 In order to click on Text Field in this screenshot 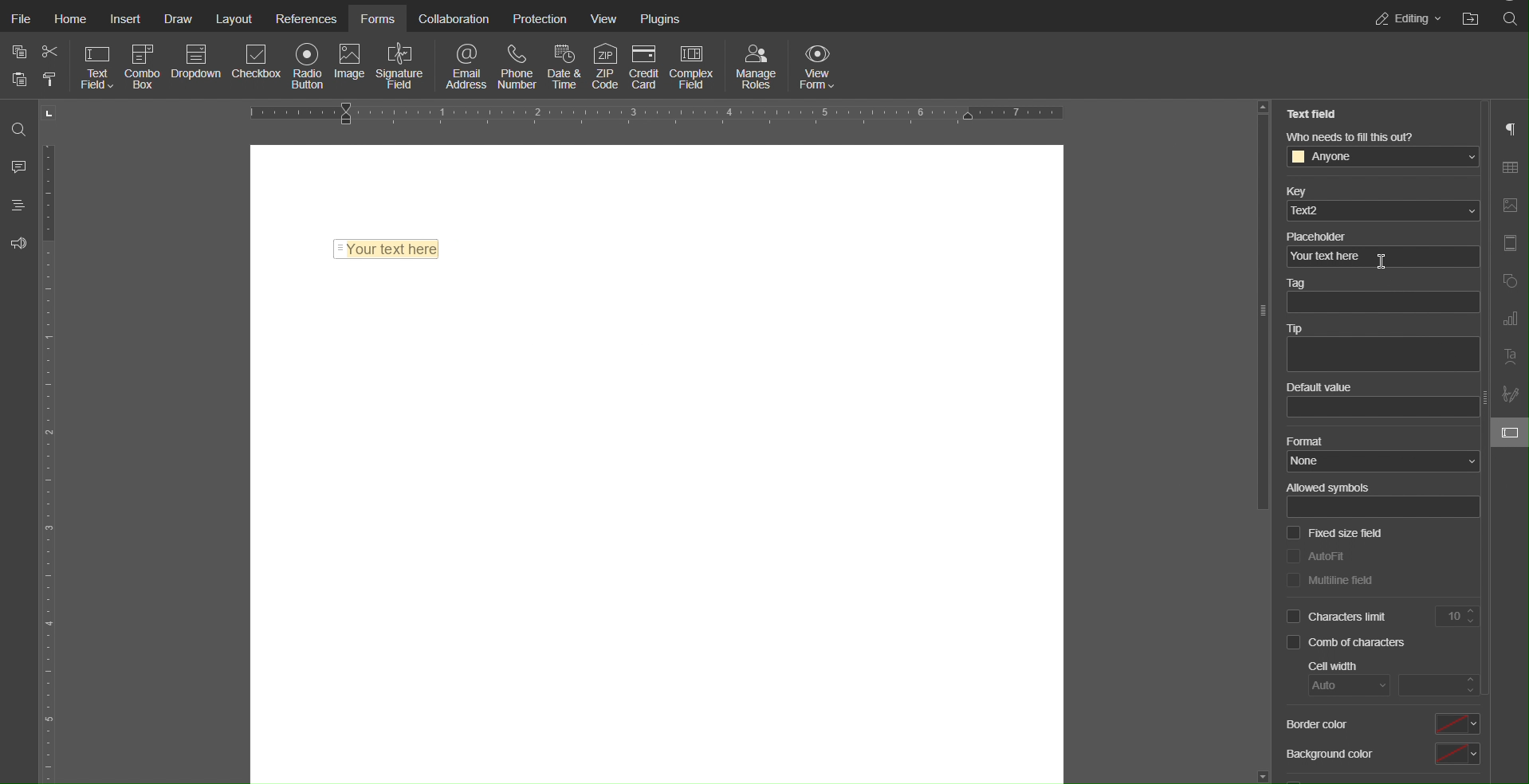, I will do `click(389, 248)`.